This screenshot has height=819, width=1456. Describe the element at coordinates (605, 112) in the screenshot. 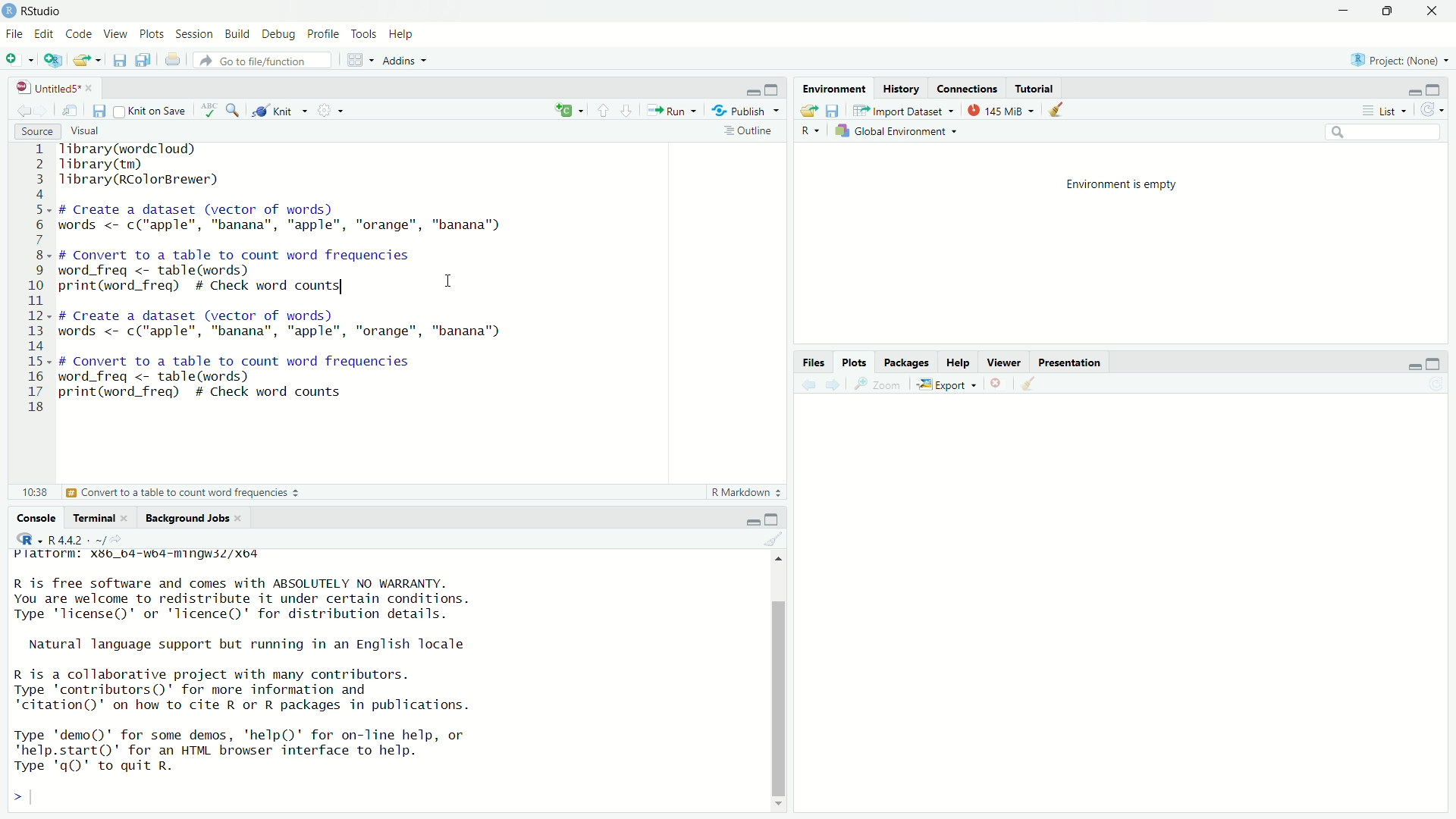

I see `Go to previous Section/chunk` at that location.